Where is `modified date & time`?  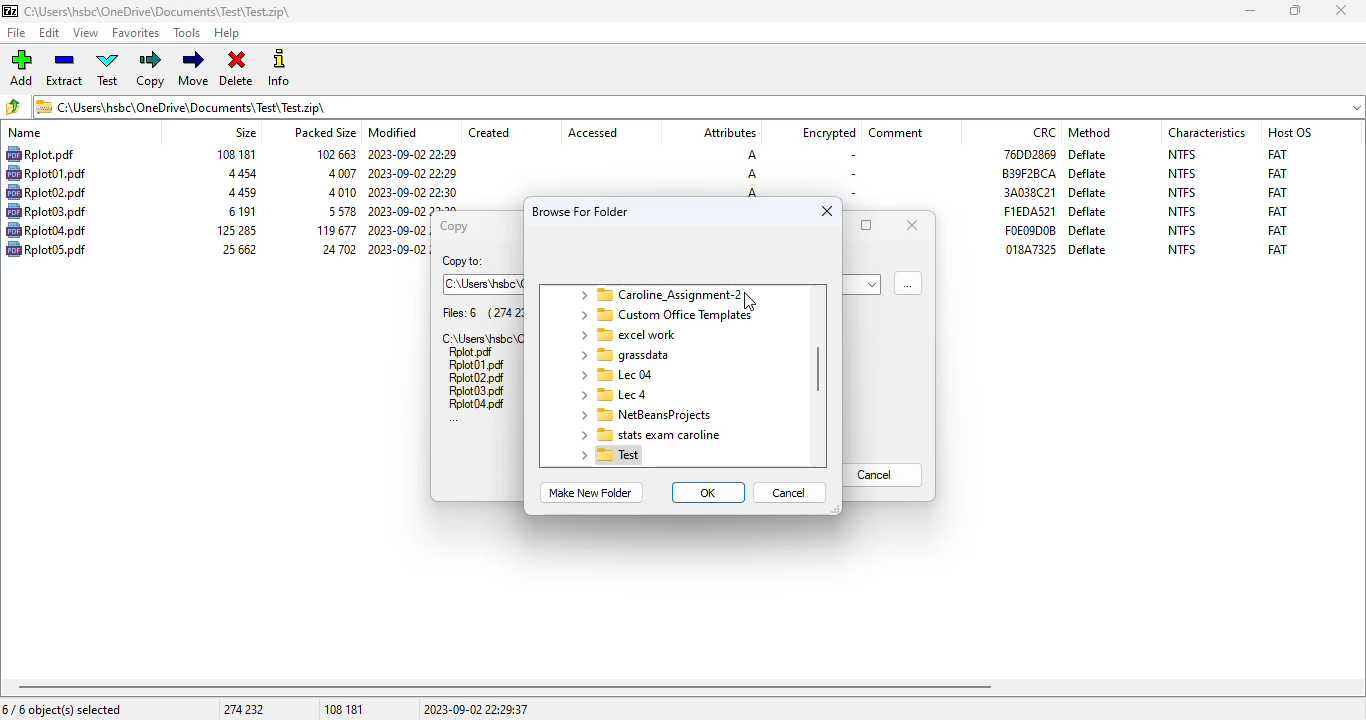
modified date & time is located at coordinates (398, 231).